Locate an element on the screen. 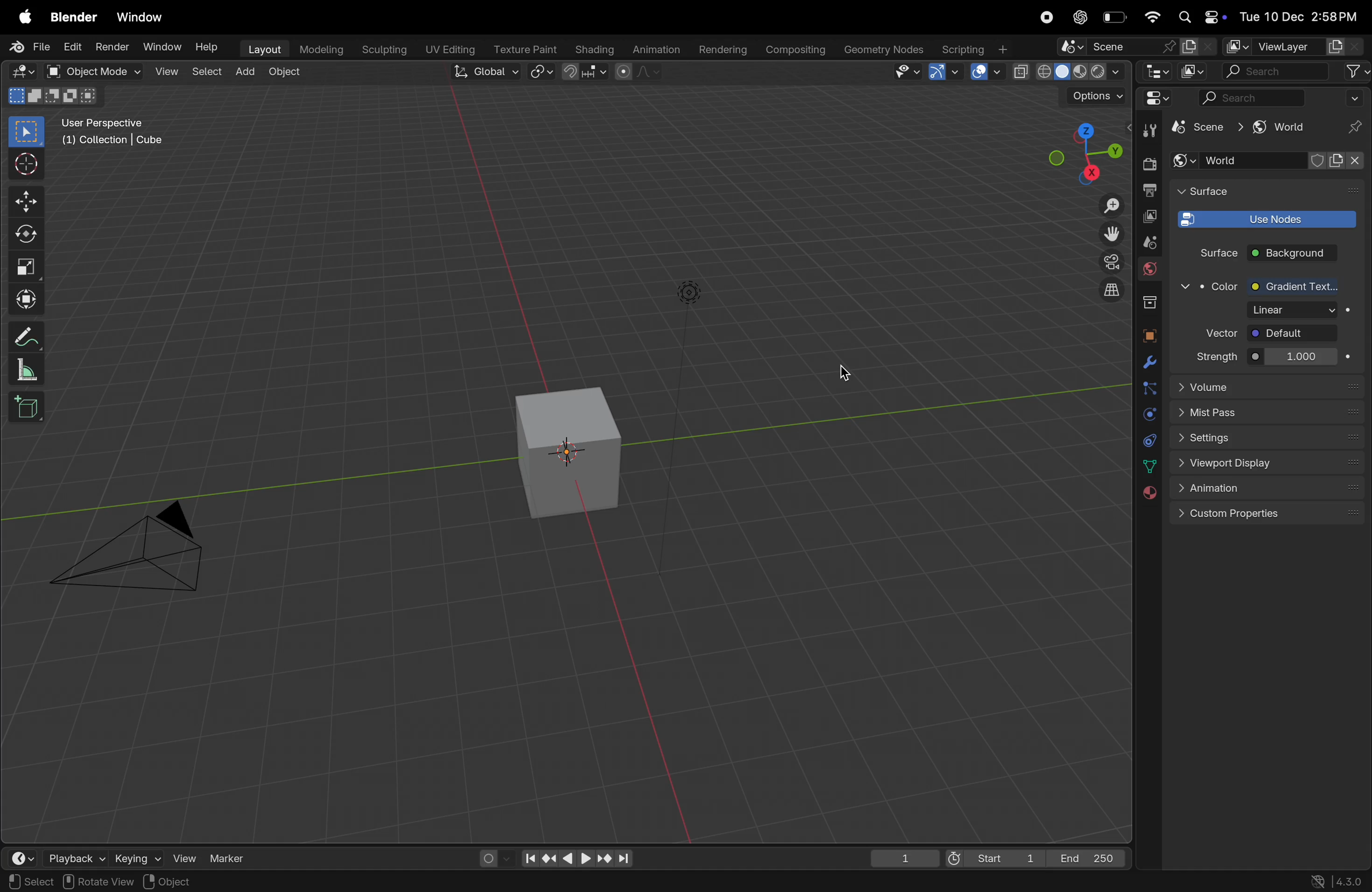 The width and height of the screenshot is (1372, 892). select is located at coordinates (205, 72).